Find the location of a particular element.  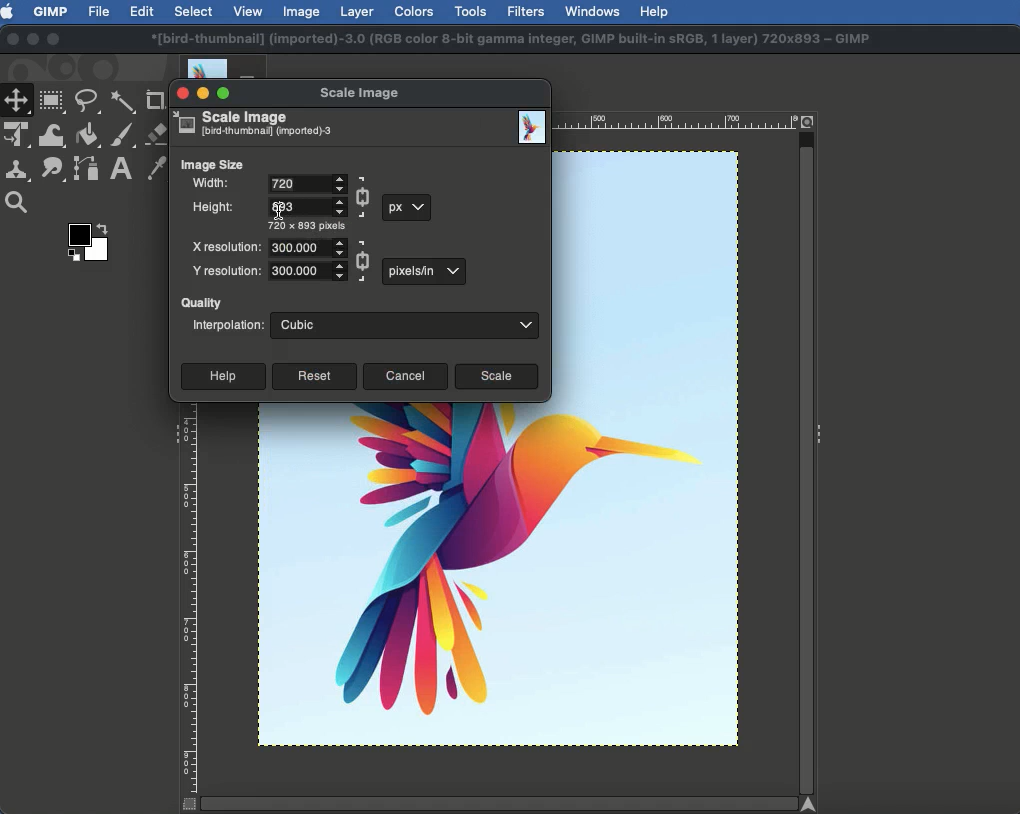

Numeral is located at coordinates (305, 205).